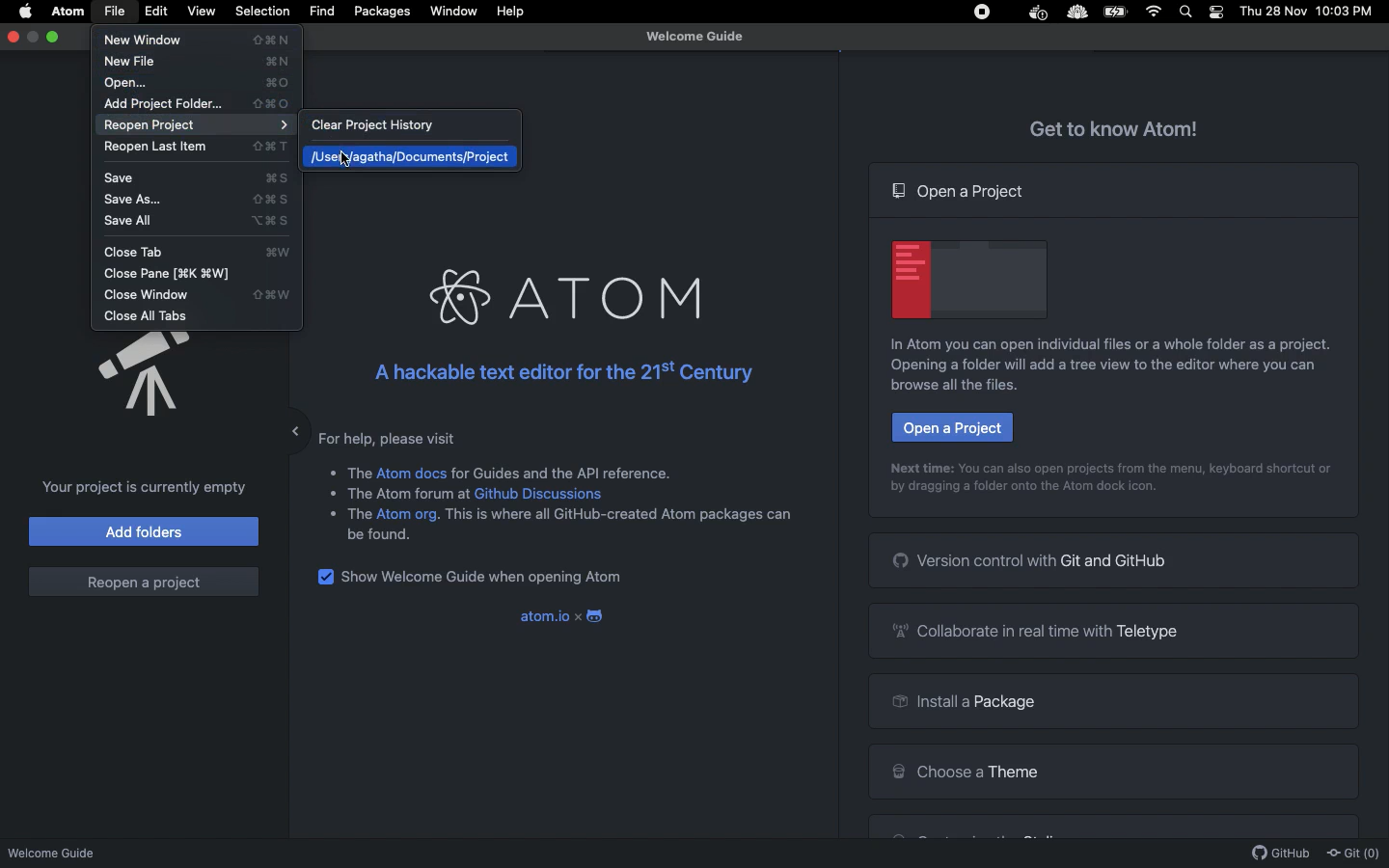 The image size is (1389, 868). Describe the element at coordinates (694, 37) in the screenshot. I see `Welcome guide` at that location.